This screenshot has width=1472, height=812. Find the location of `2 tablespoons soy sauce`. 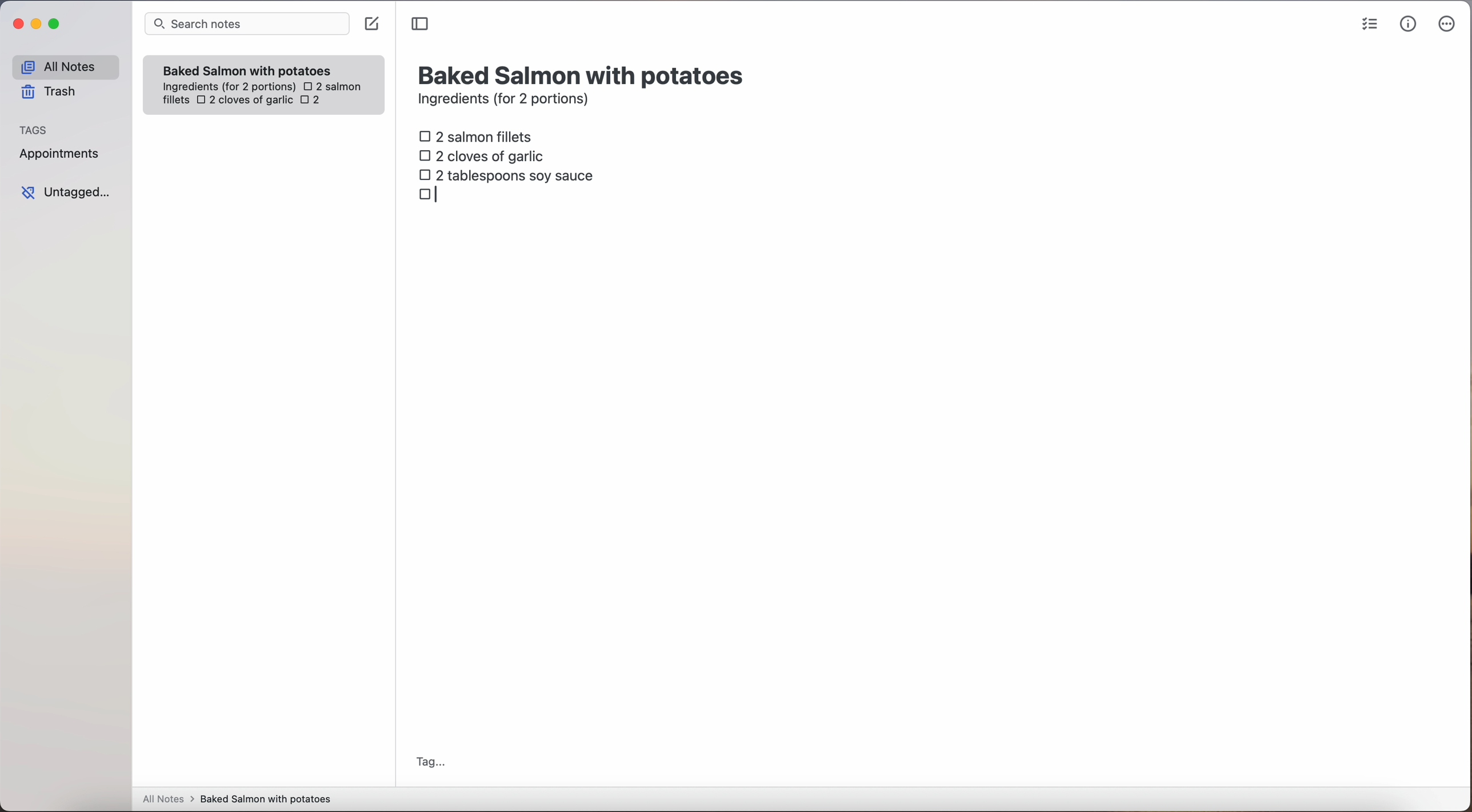

2 tablespoons soy sauce is located at coordinates (506, 175).